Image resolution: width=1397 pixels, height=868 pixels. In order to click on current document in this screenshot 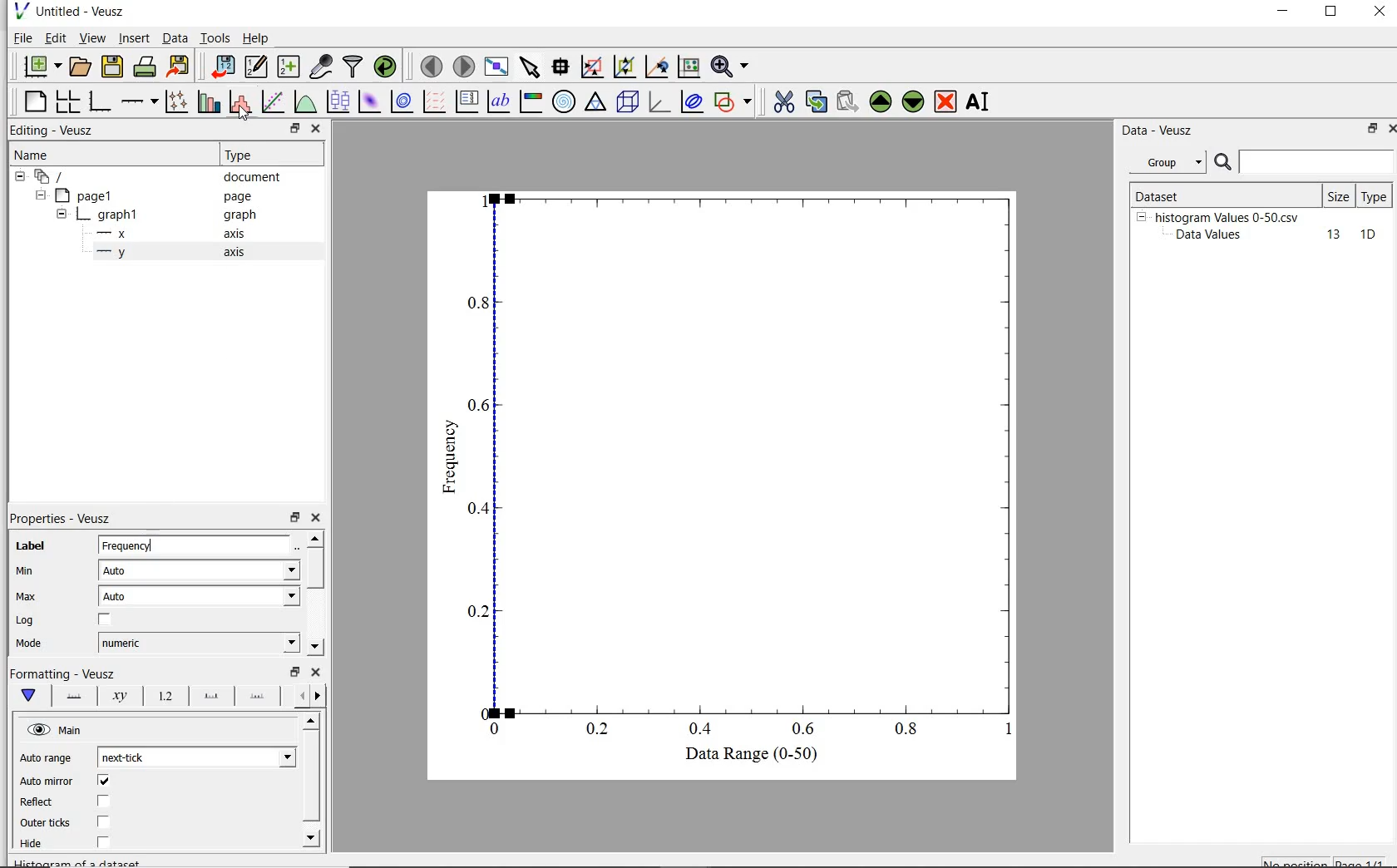, I will do `click(52, 177)`.